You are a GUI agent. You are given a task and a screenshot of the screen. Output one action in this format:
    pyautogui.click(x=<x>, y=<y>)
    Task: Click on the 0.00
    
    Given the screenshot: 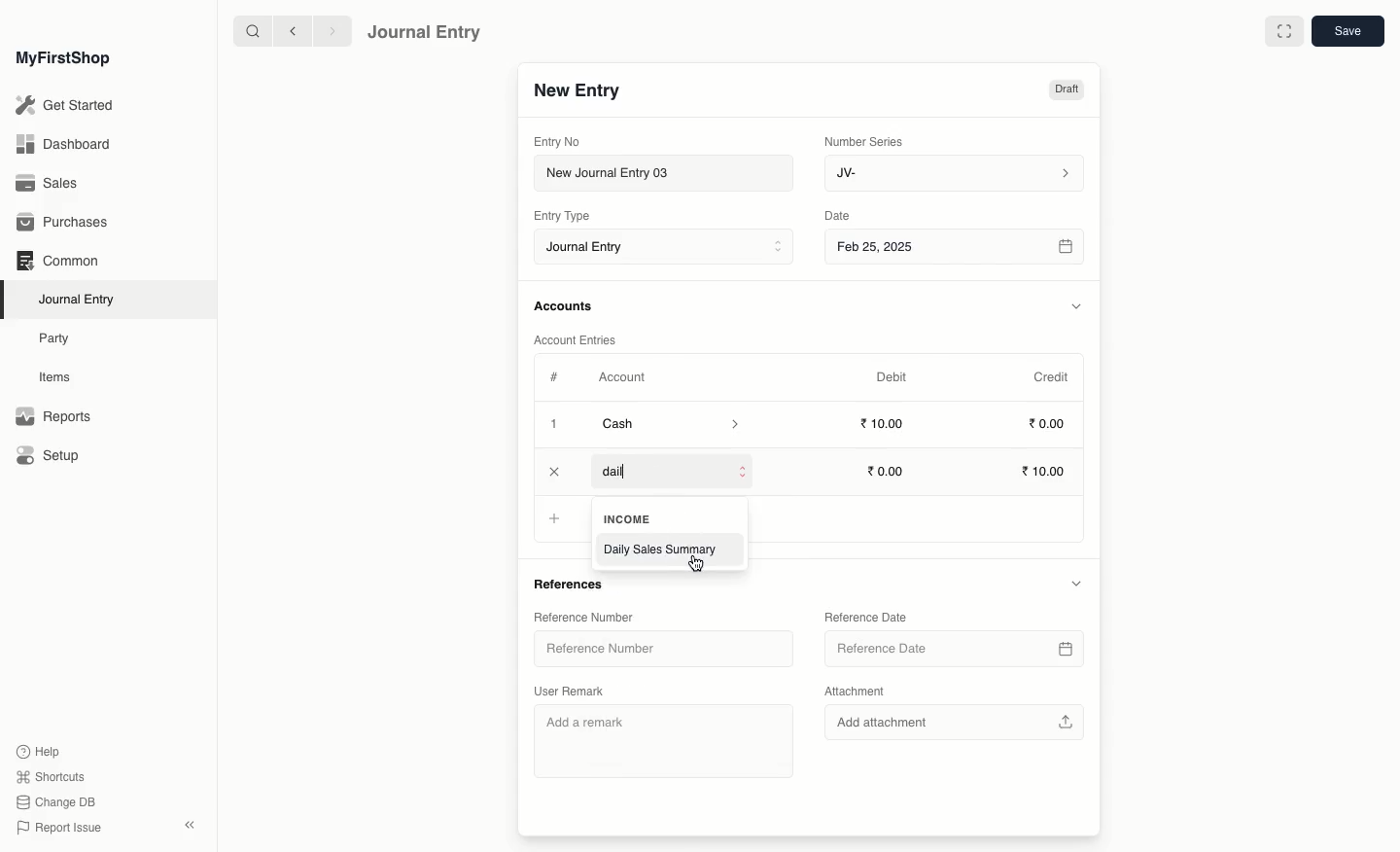 What is the action you would take?
    pyautogui.click(x=1048, y=427)
    